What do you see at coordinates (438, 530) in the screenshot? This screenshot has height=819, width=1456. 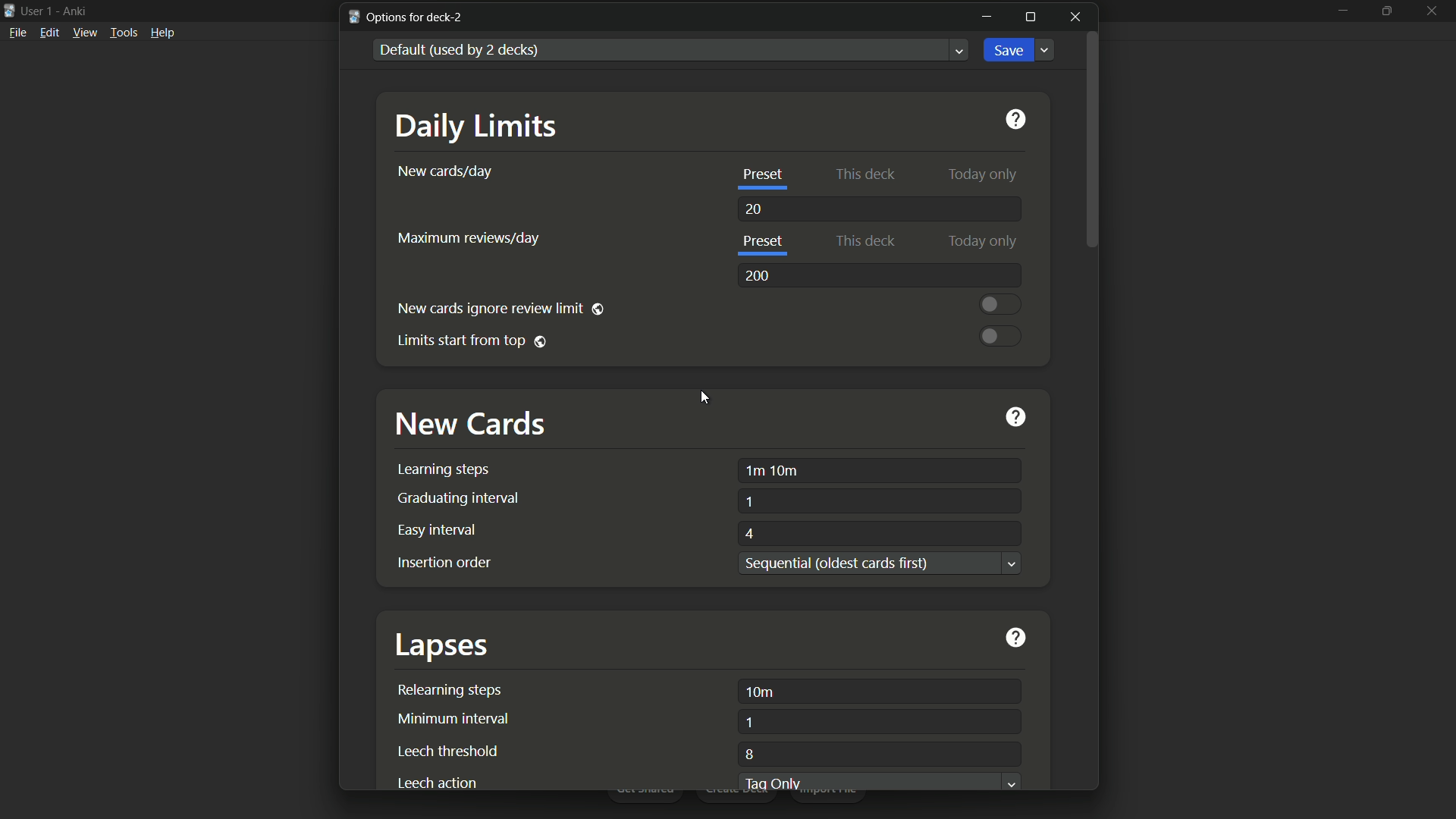 I see `easy interval` at bounding box center [438, 530].